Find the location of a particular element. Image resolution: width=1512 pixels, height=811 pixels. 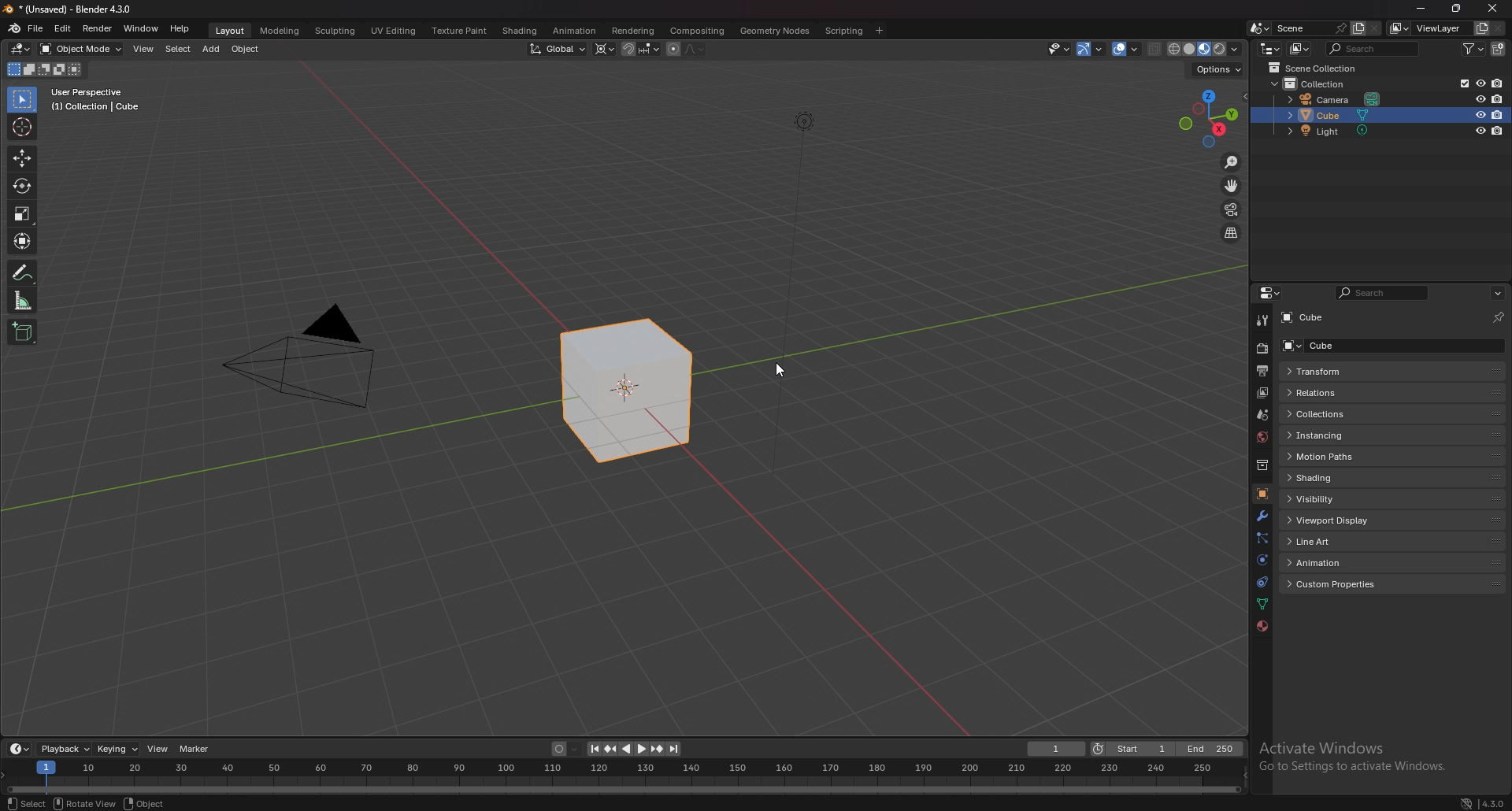

transformation orientation is located at coordinates (558, 49).